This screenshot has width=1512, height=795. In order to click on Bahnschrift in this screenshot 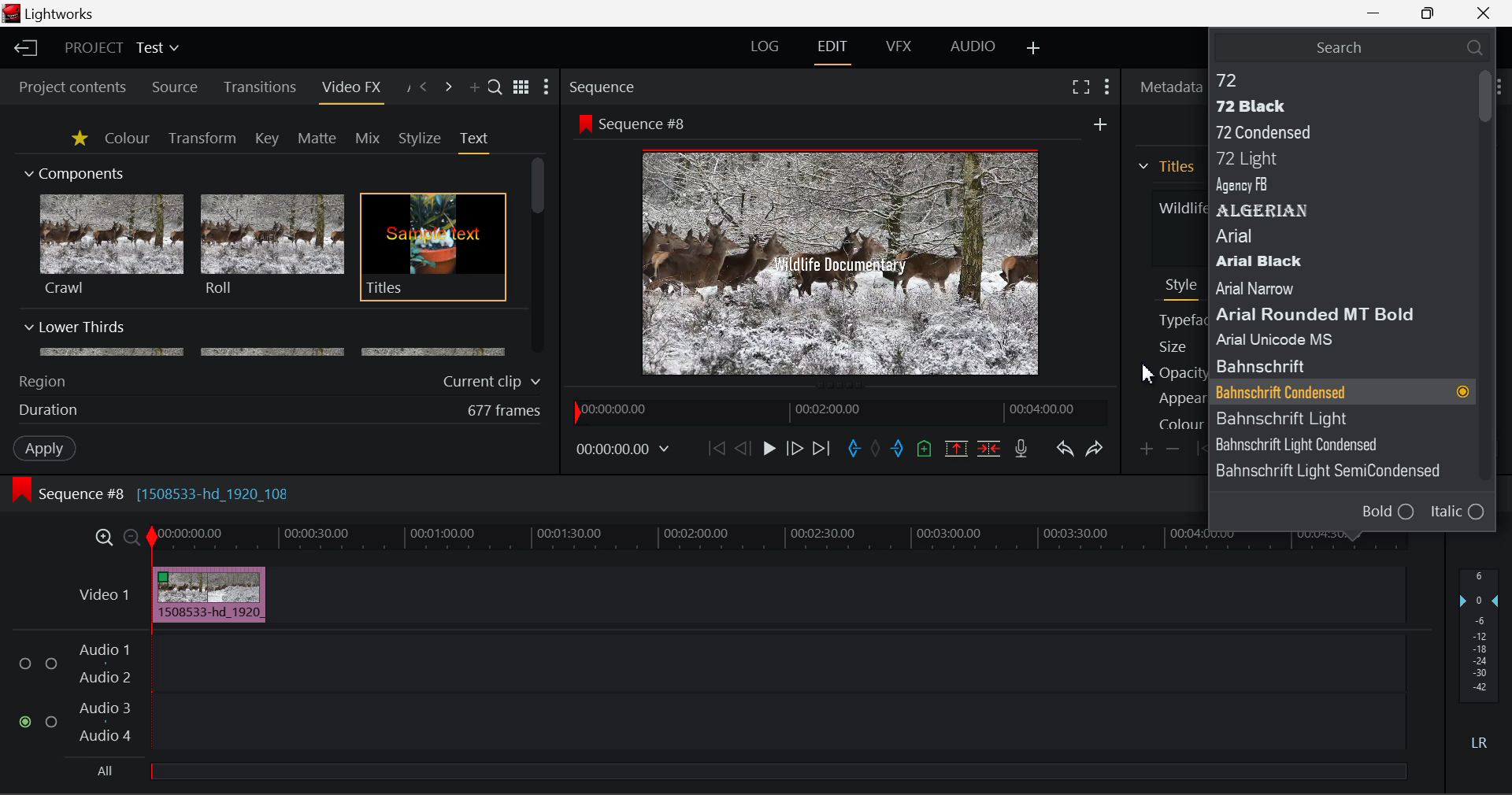, I will do `click(1321, 445)`.